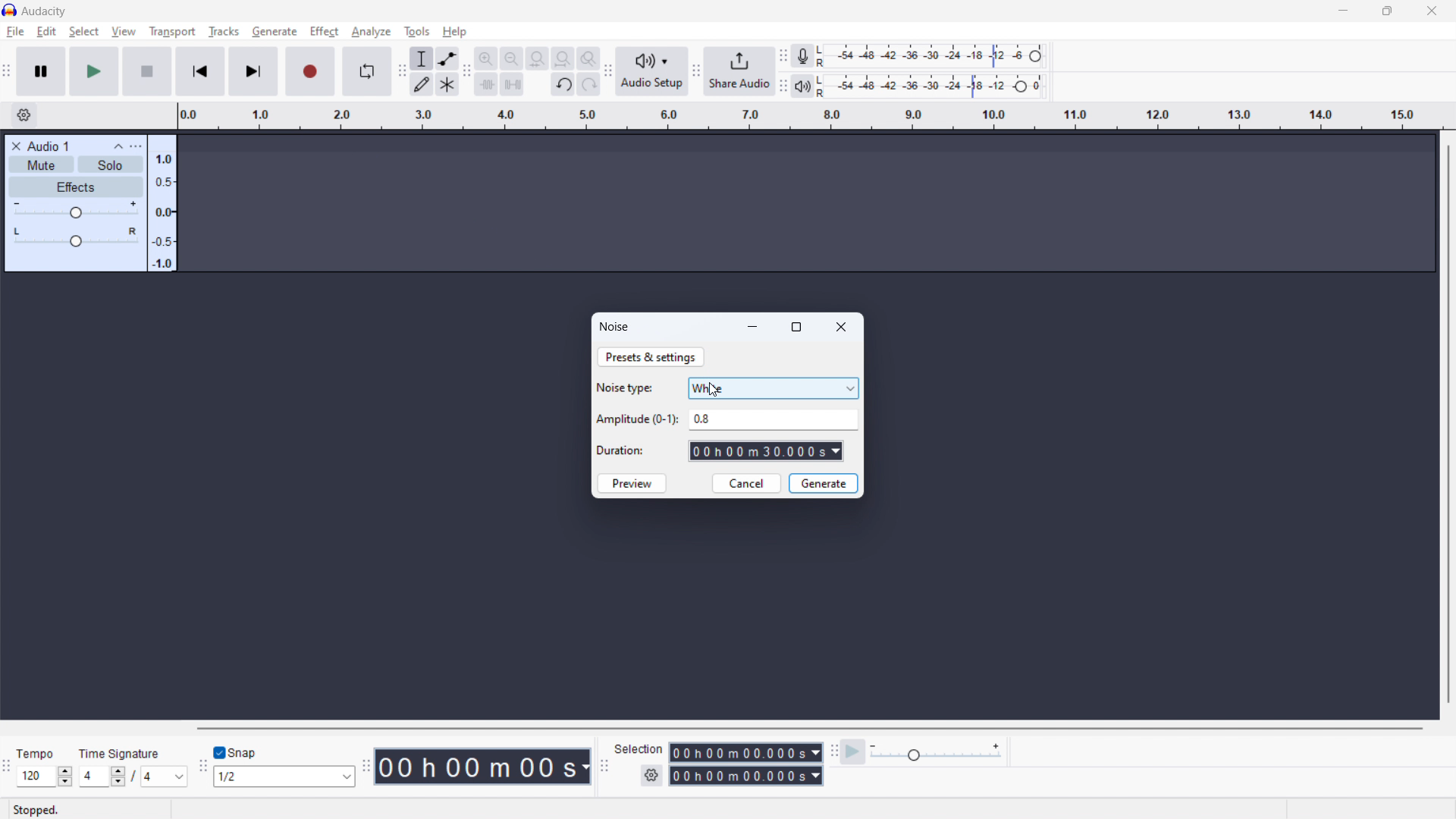 The height and width of the screenshot is (819, 1456). Describe the element at coordinates (447, 58) in the screenshot. I see `enveloop tool` at that location.